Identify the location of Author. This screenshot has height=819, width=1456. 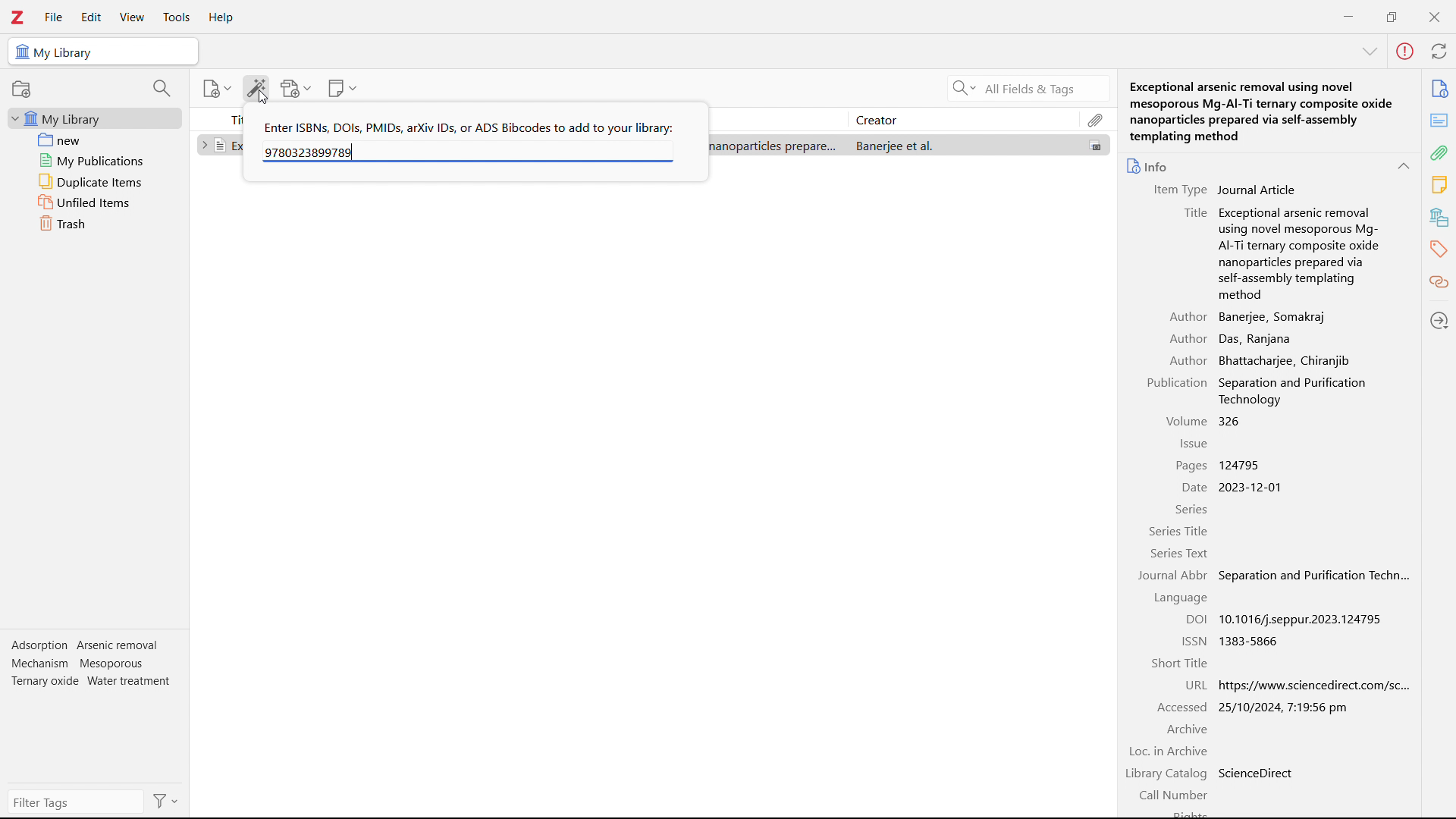
(1188, 316).